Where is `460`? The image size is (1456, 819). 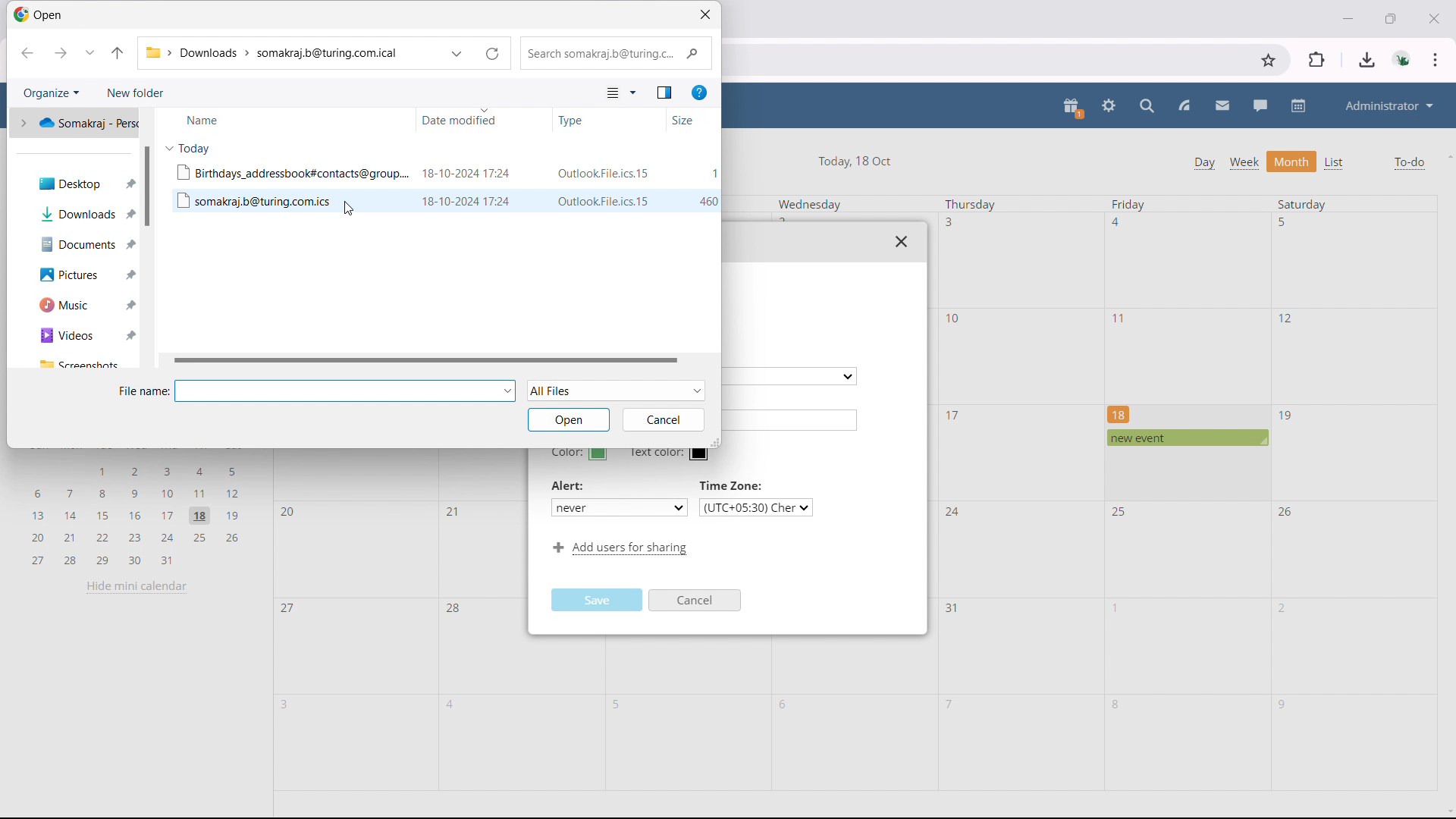 460 is located at coordinates (708, 201).